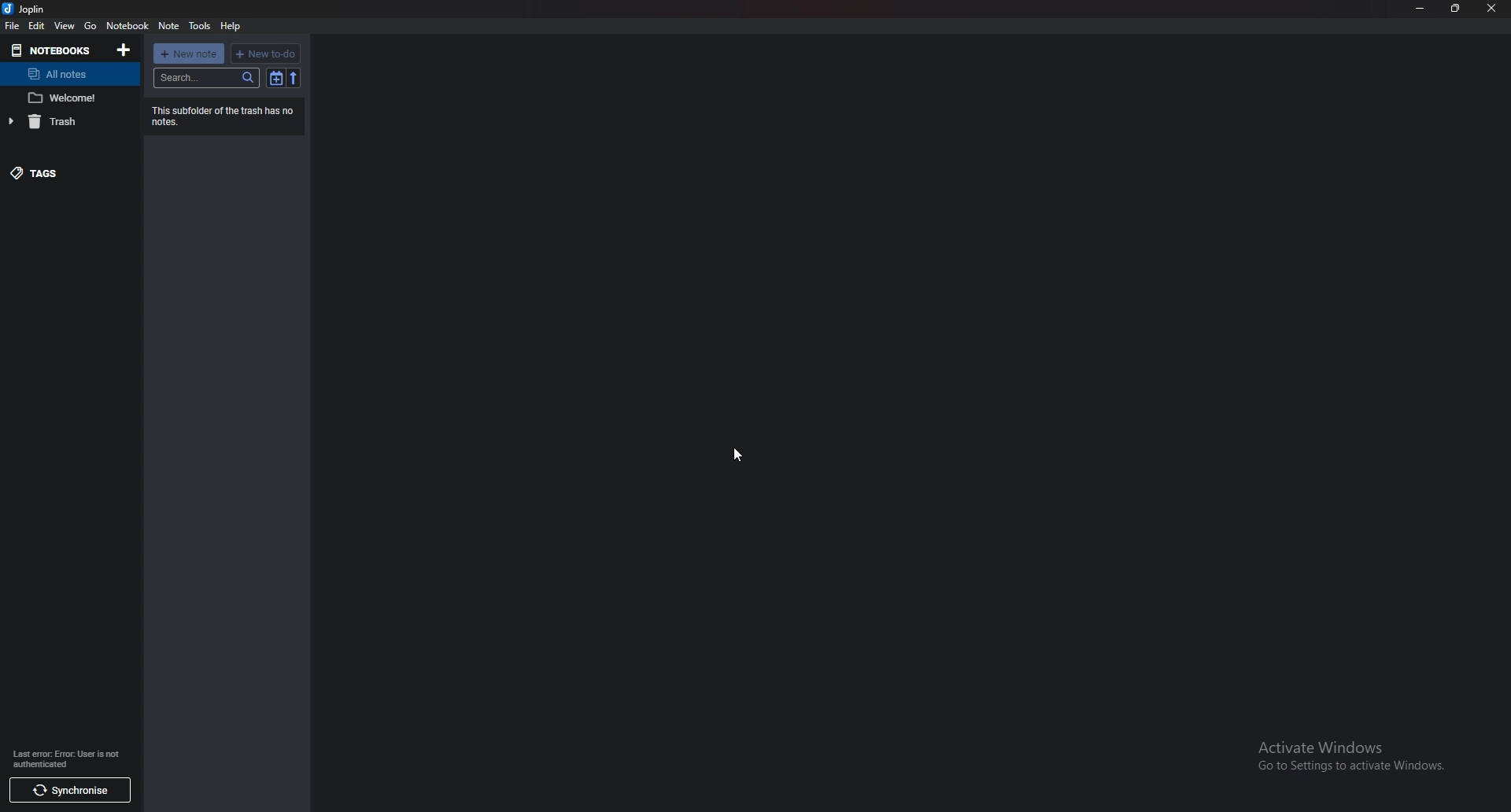 The width and height of the screenshot is (1511, 812). I want to click on view, so click(64, 25).